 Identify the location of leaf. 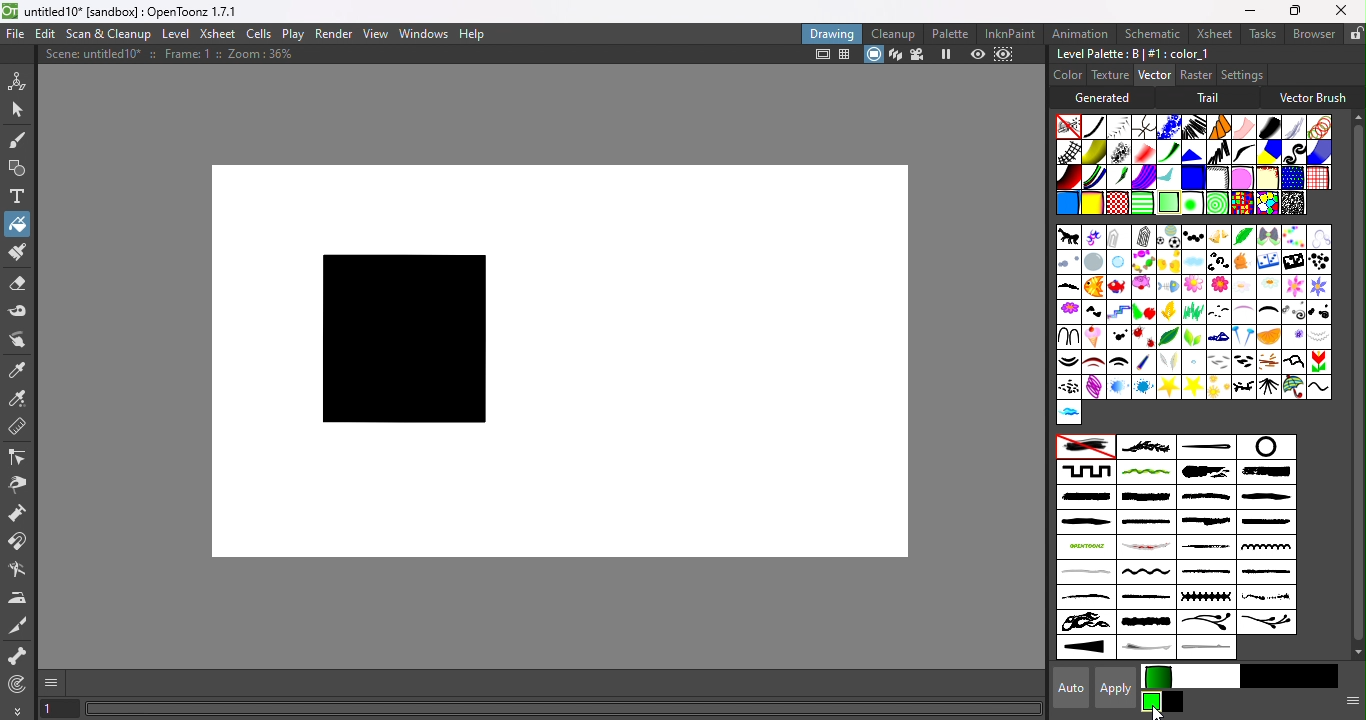
(1169, 336).